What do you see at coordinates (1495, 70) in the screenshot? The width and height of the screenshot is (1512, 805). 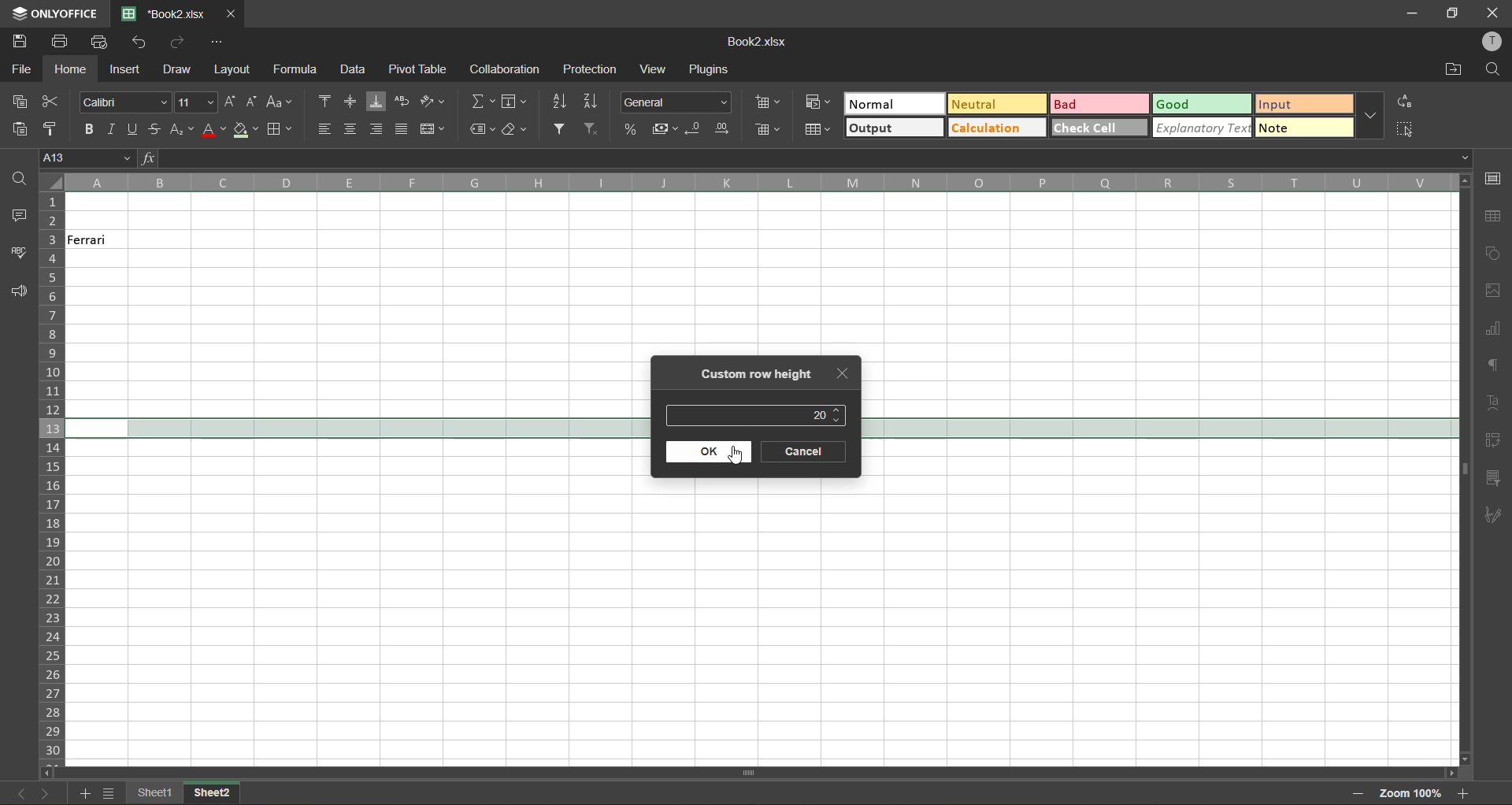 I see `find` at bounding box center [1495, 70].